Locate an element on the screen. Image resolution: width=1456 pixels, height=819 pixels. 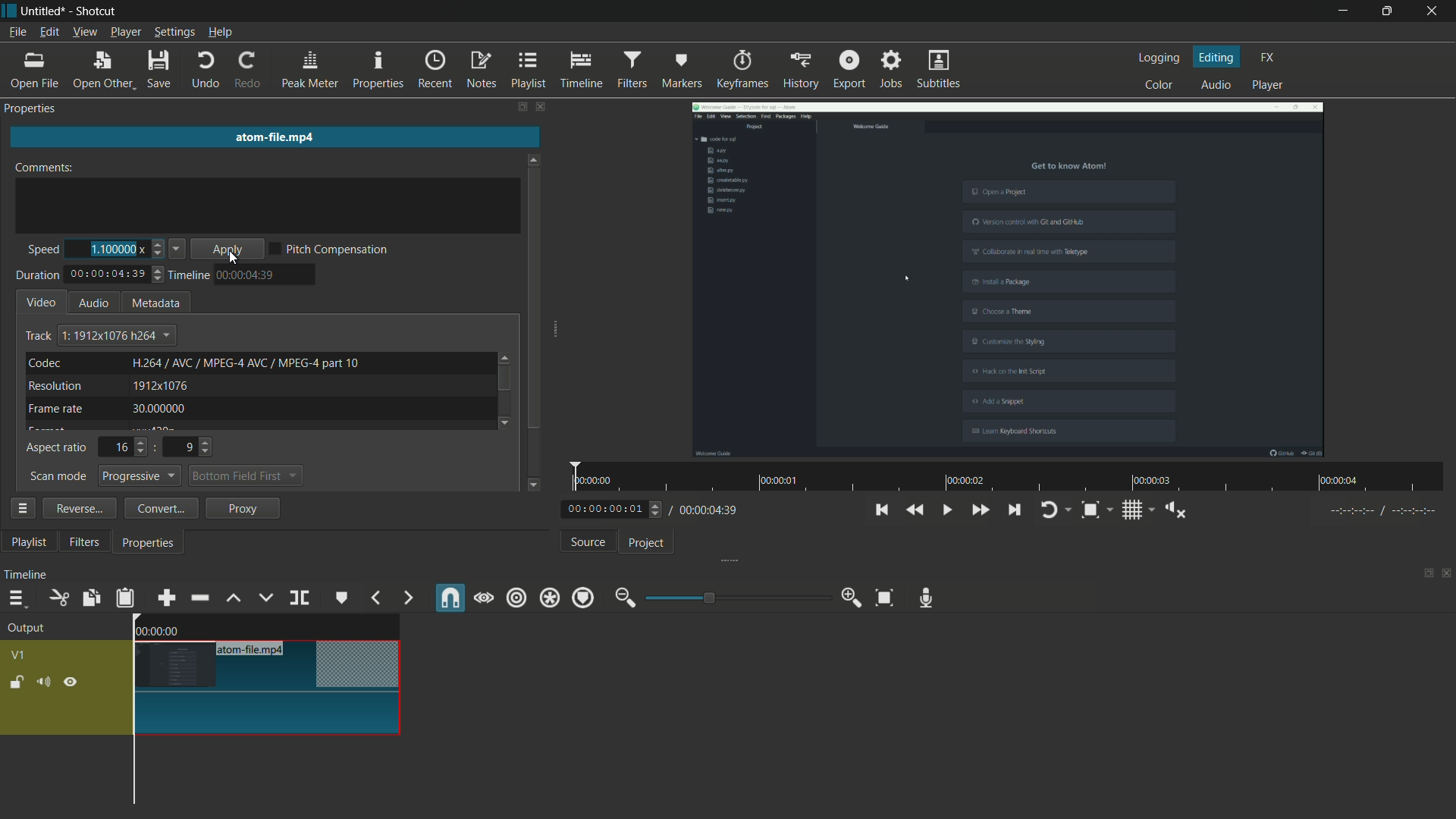
toggle zoom is located at coordinates (1090, 510).